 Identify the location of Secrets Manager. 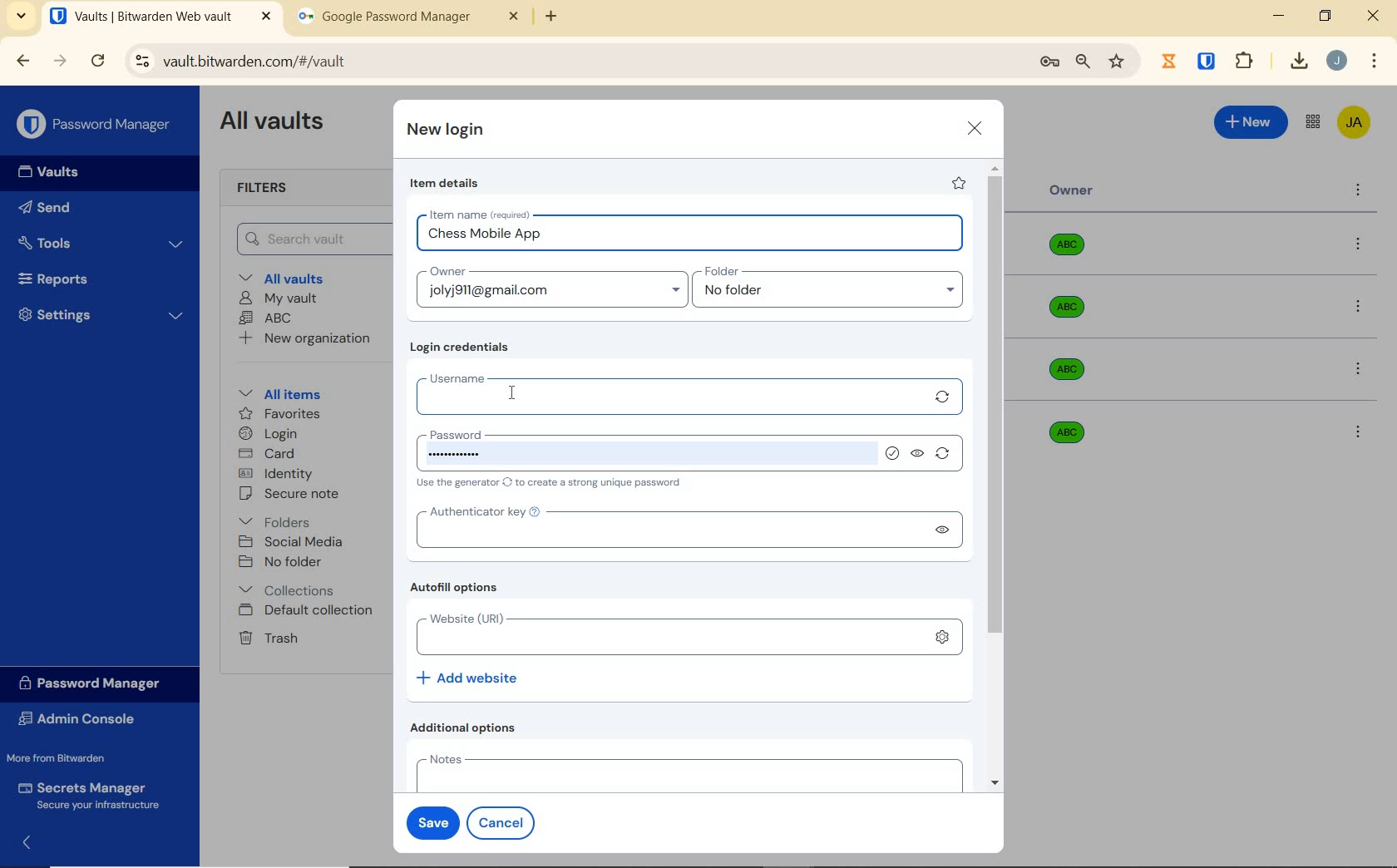
(86, 796).